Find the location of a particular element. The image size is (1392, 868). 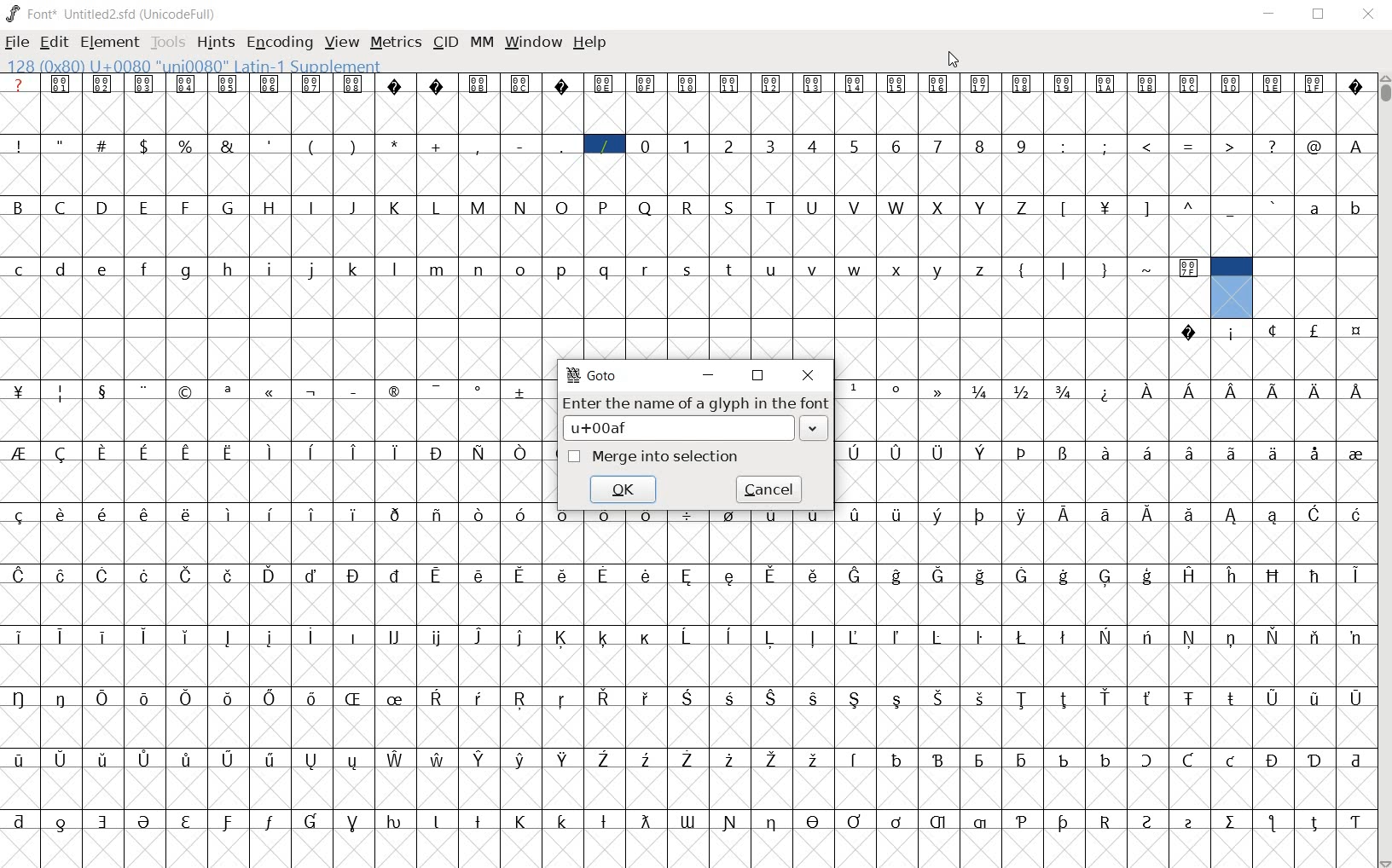

Symbol is located at coordinates (1107, 576).